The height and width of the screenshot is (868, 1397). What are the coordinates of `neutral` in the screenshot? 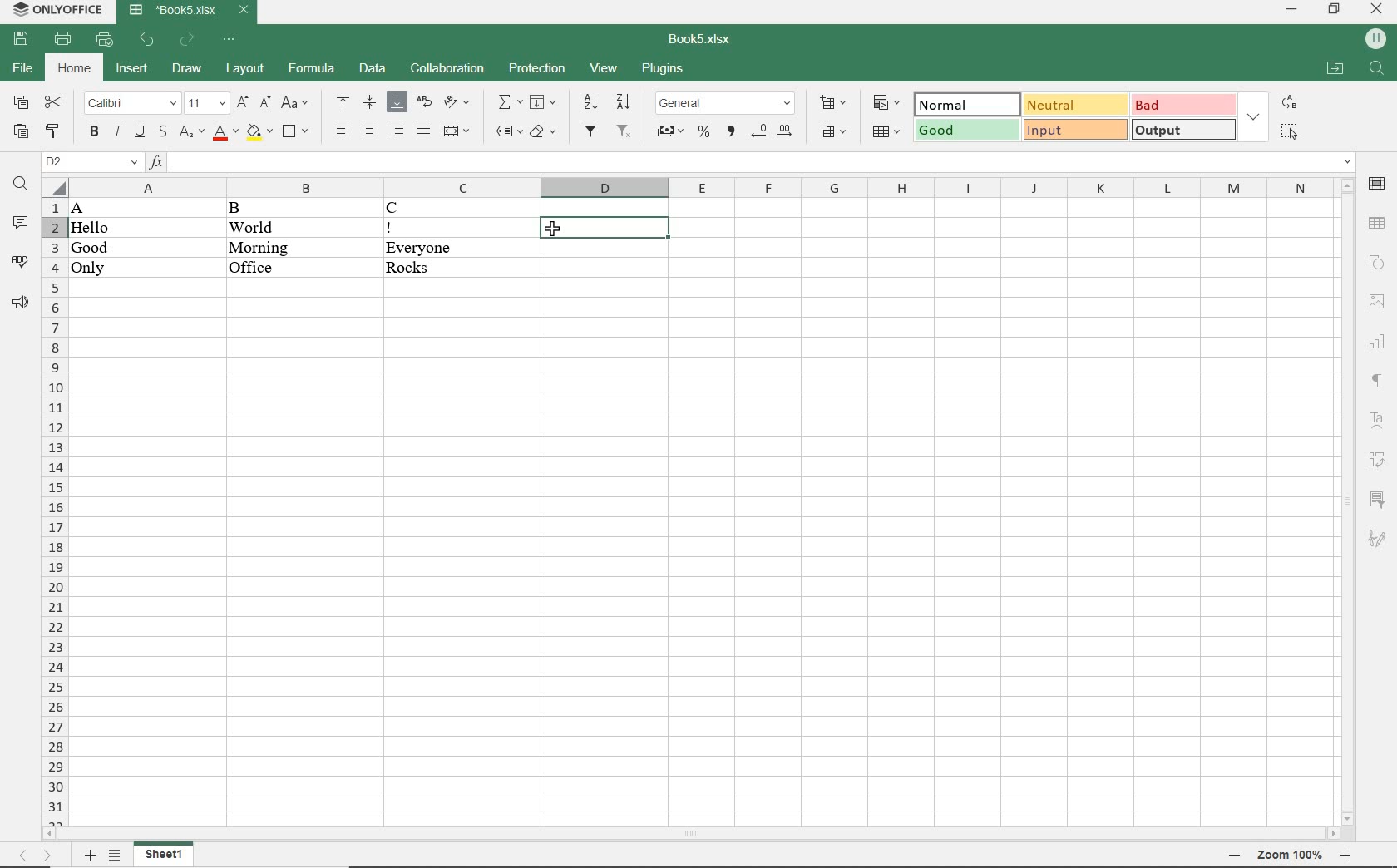 It's located at (1074, 106).